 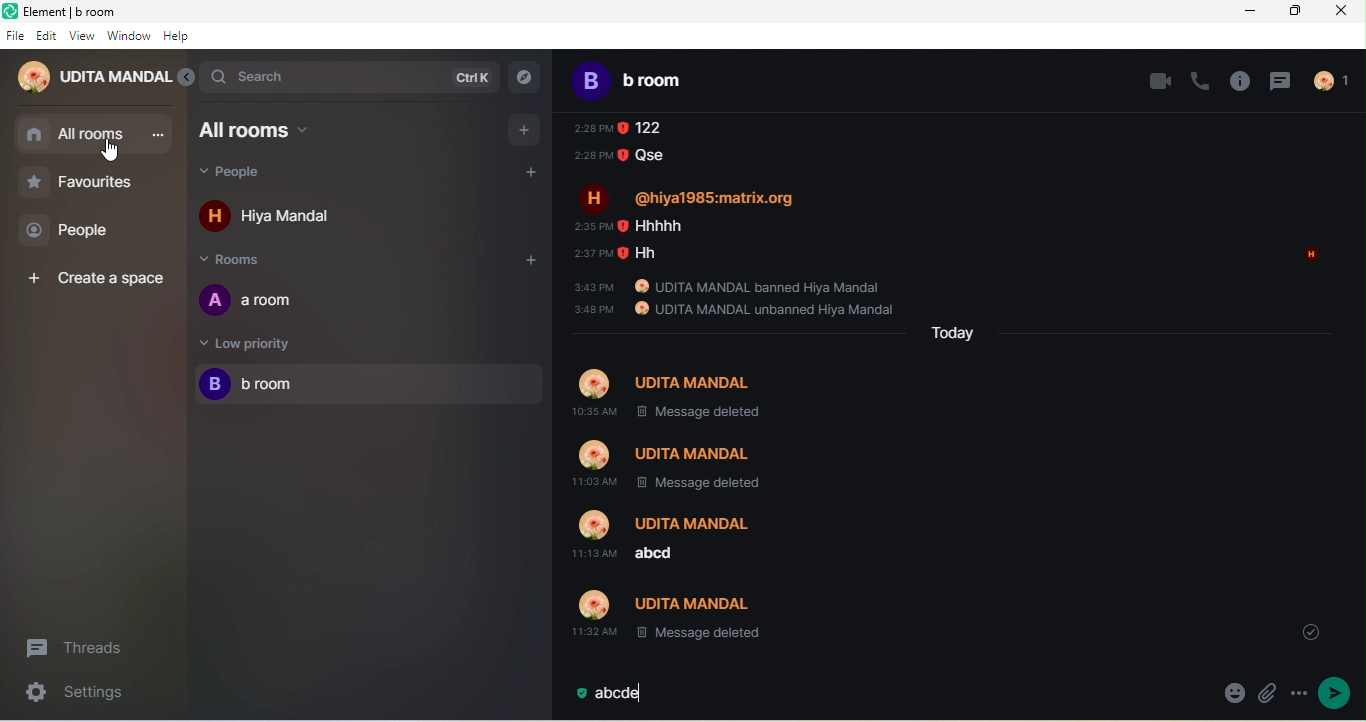 What do you see at coordinates (351, 77) in the screenshot?
I see `search` at bounding box center [351, 77].